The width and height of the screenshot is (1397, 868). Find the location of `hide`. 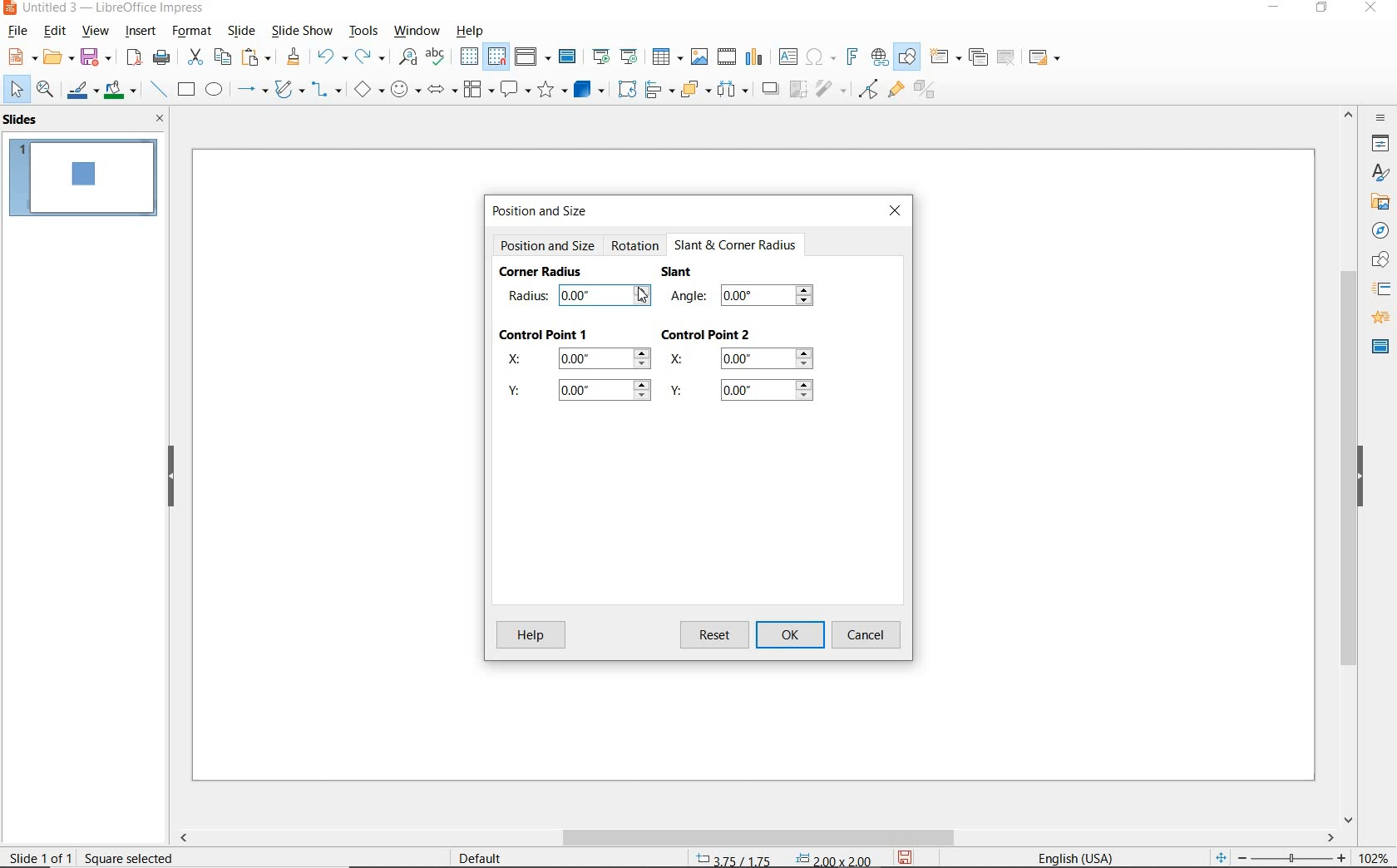

hide is located at coordinates (1360, 477).